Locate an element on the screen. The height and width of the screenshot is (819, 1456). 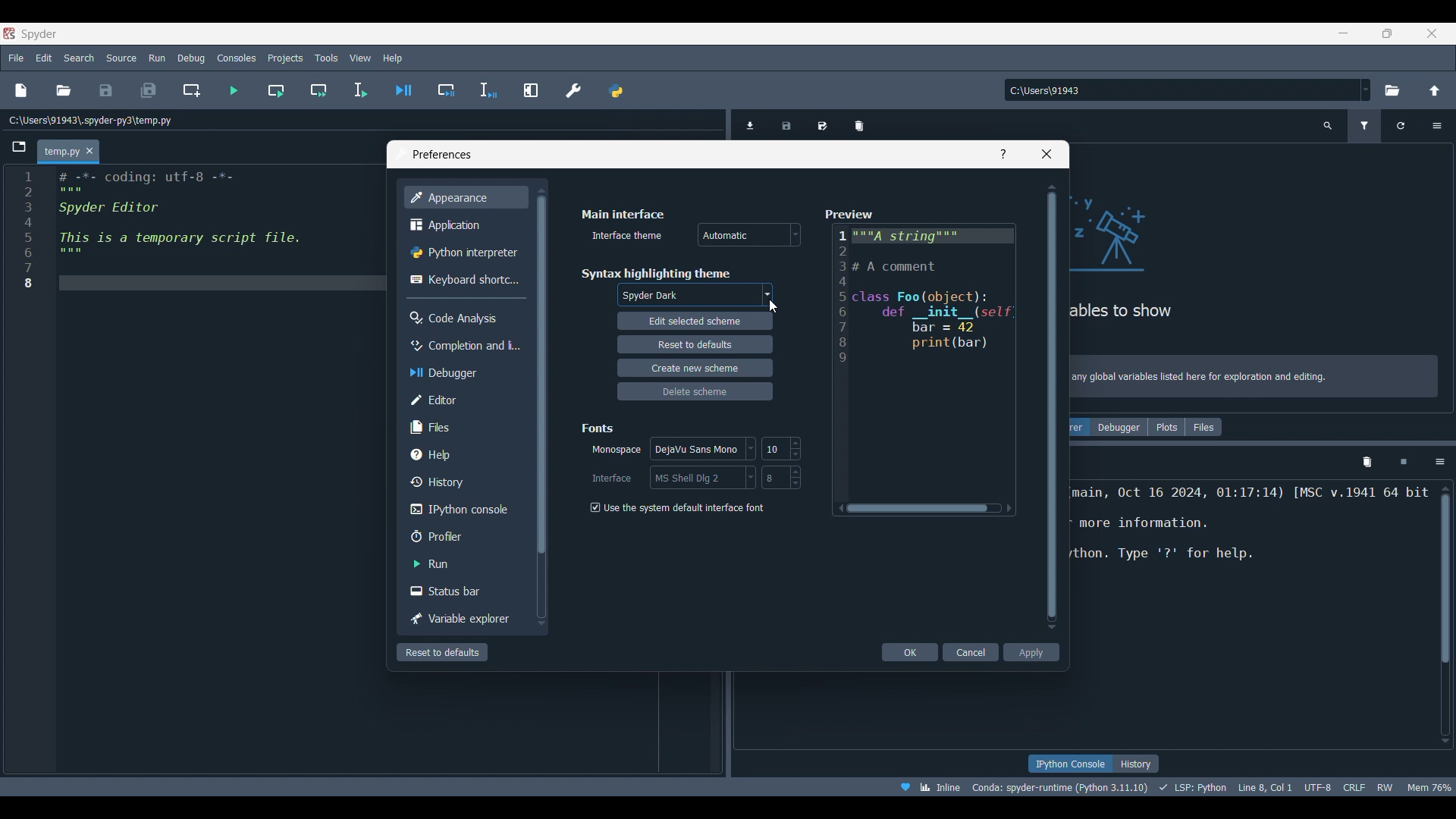
Open file is located at coordinates (64, 90).